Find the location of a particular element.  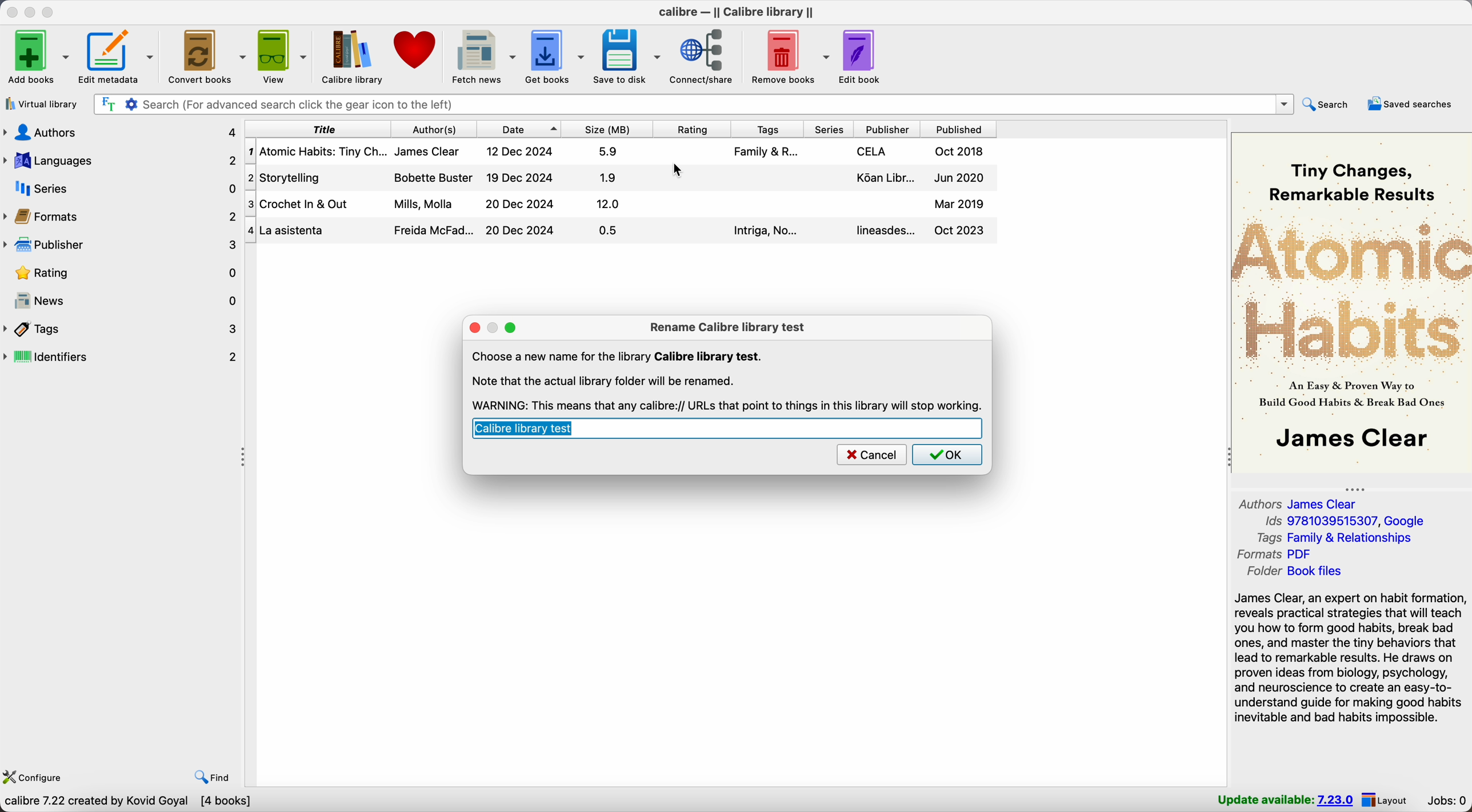

authors James Clear is located at coordinates (1298, 503).